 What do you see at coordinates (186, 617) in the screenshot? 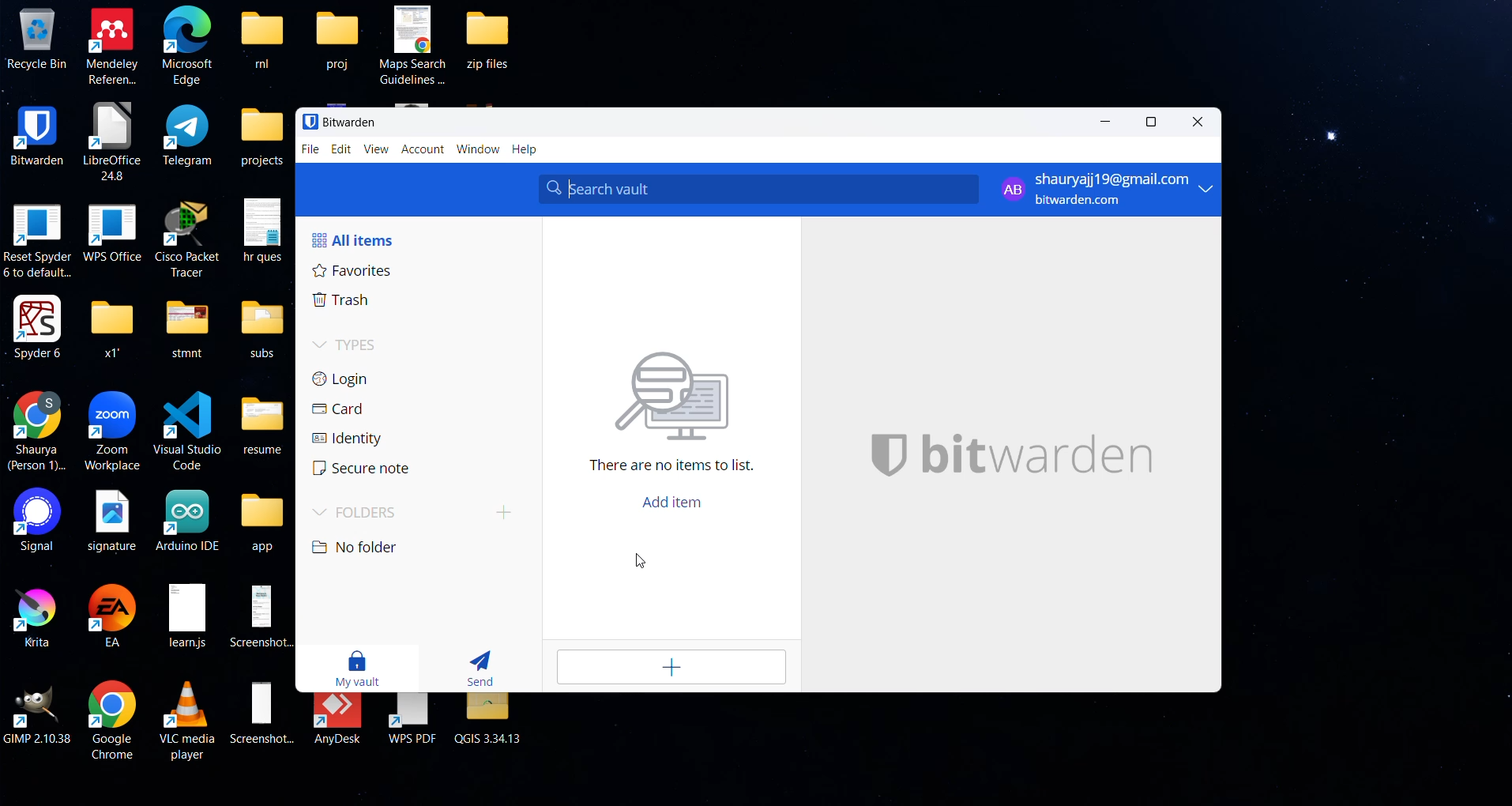
I see `learn.js` at bounding box center [186, 617].